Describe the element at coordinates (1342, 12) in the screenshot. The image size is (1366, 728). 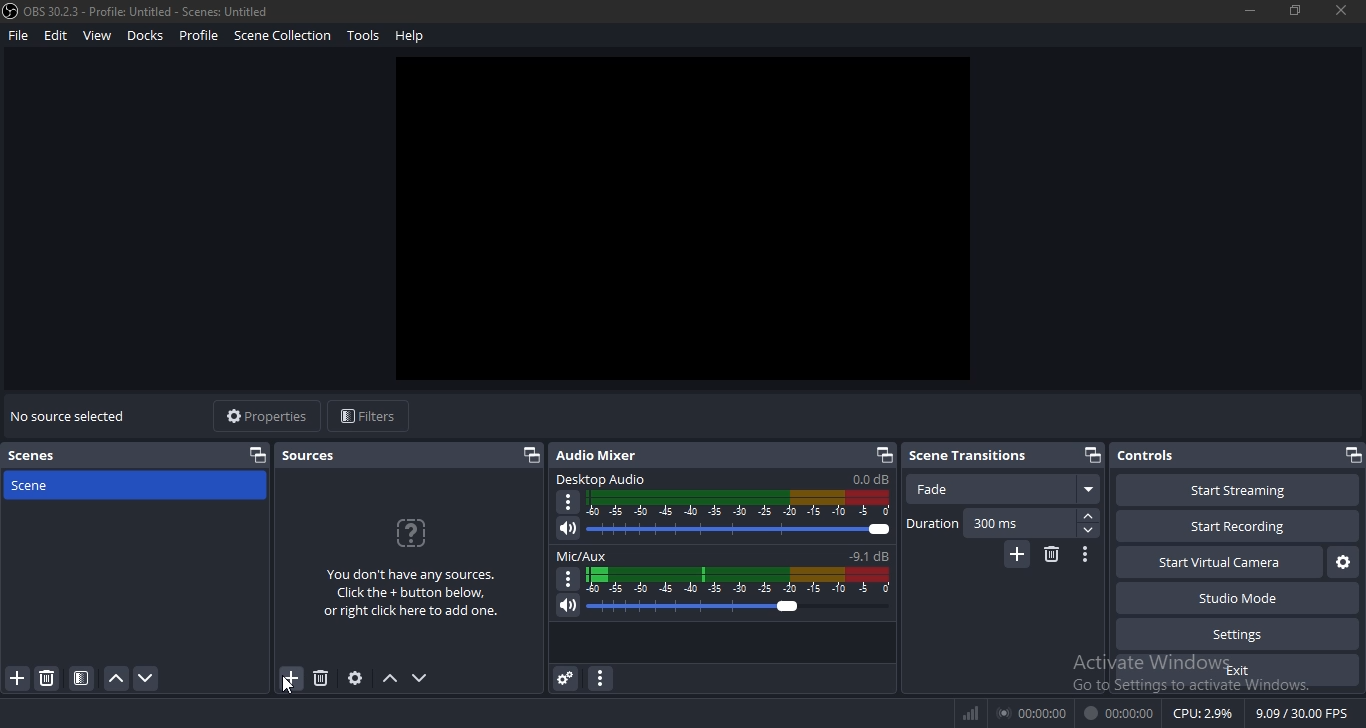
I see `close` at that location.